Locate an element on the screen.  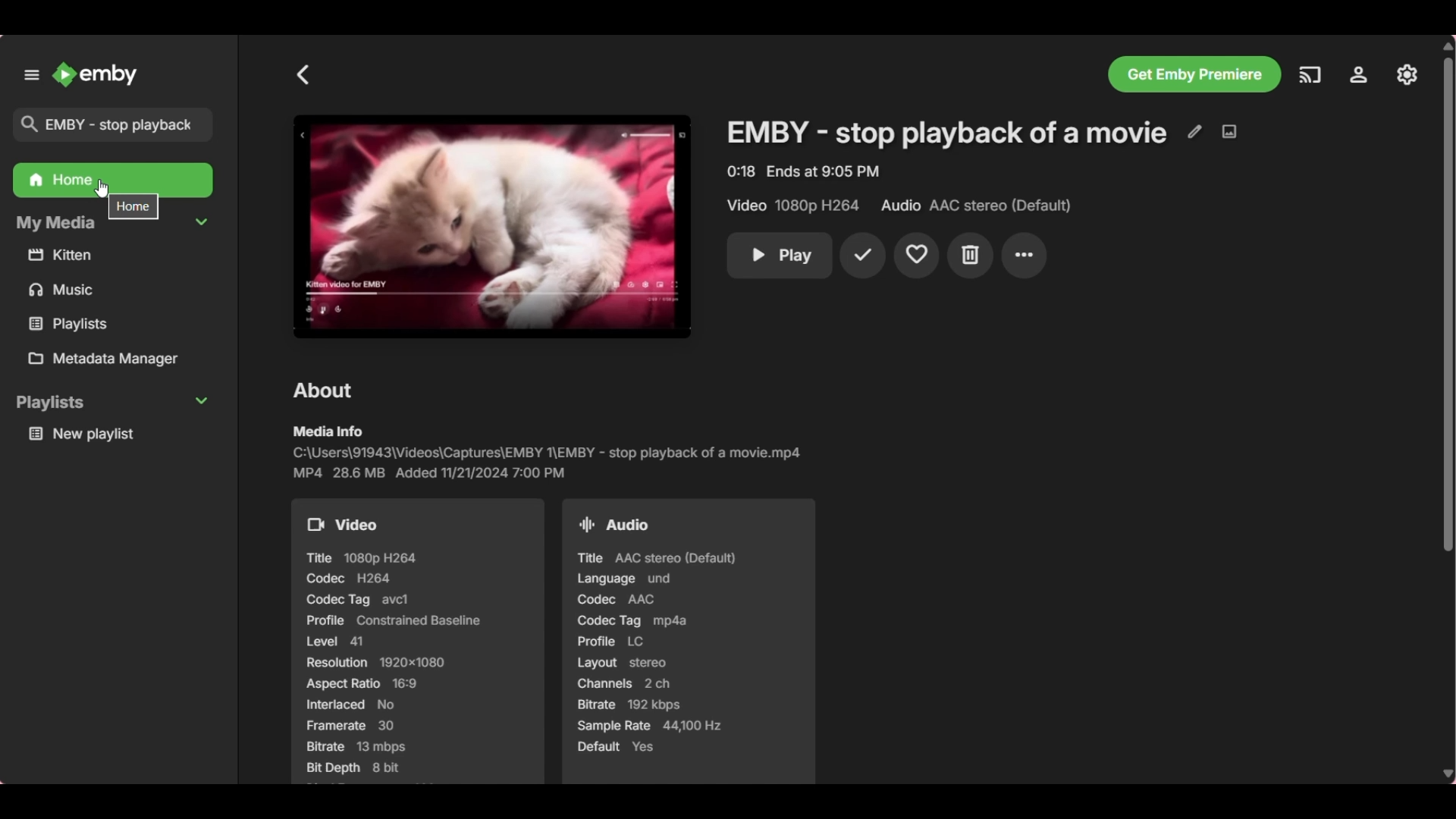
Mark played is located at coordinates (864, 256).